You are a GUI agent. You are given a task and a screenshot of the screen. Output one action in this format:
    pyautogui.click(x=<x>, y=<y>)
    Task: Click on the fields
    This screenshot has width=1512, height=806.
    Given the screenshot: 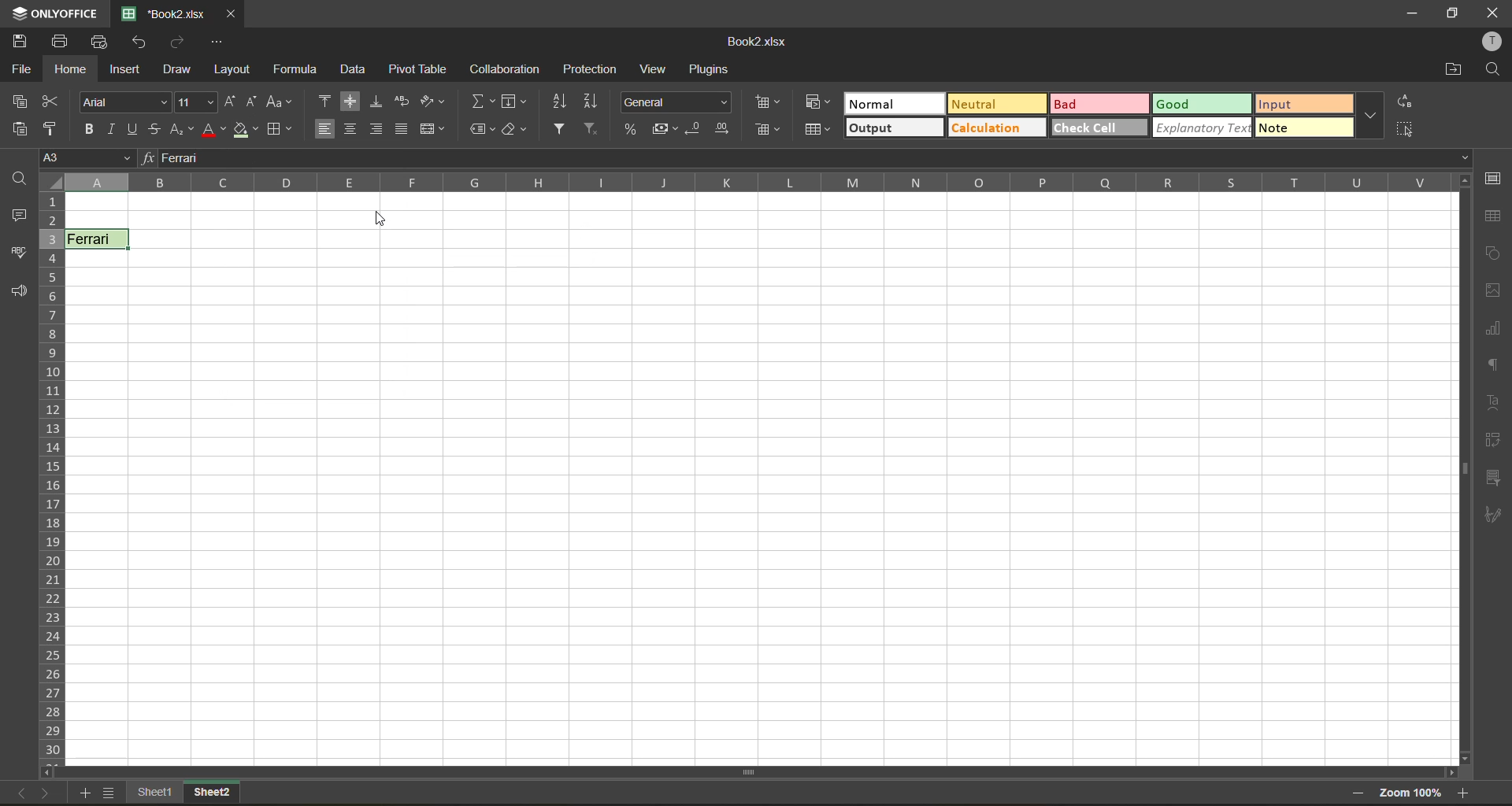 What is the action you would take?
    pyautogui.click(x=514, y=102)
    